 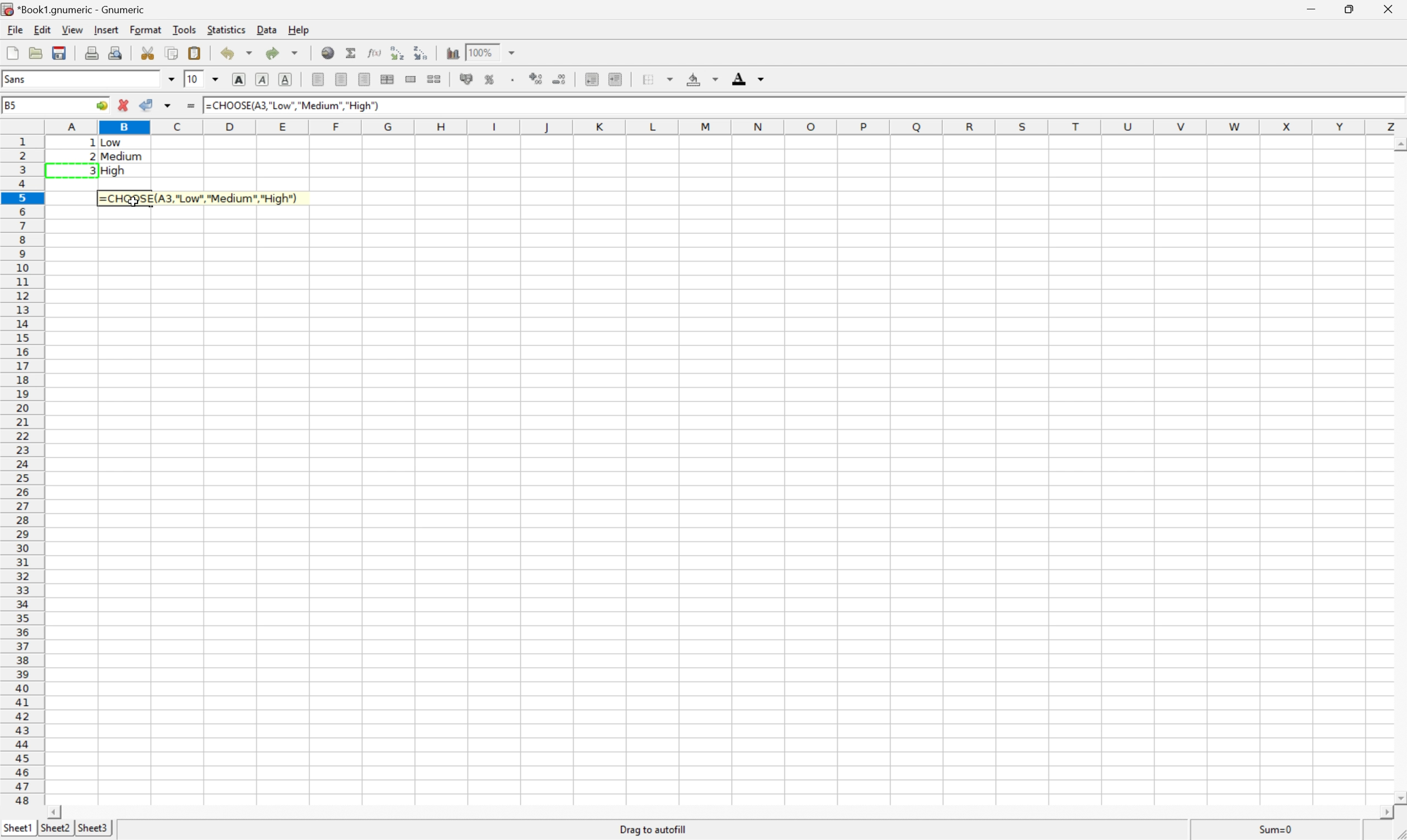 I want to click on Sum in current cells, so click(x=352, y=52).